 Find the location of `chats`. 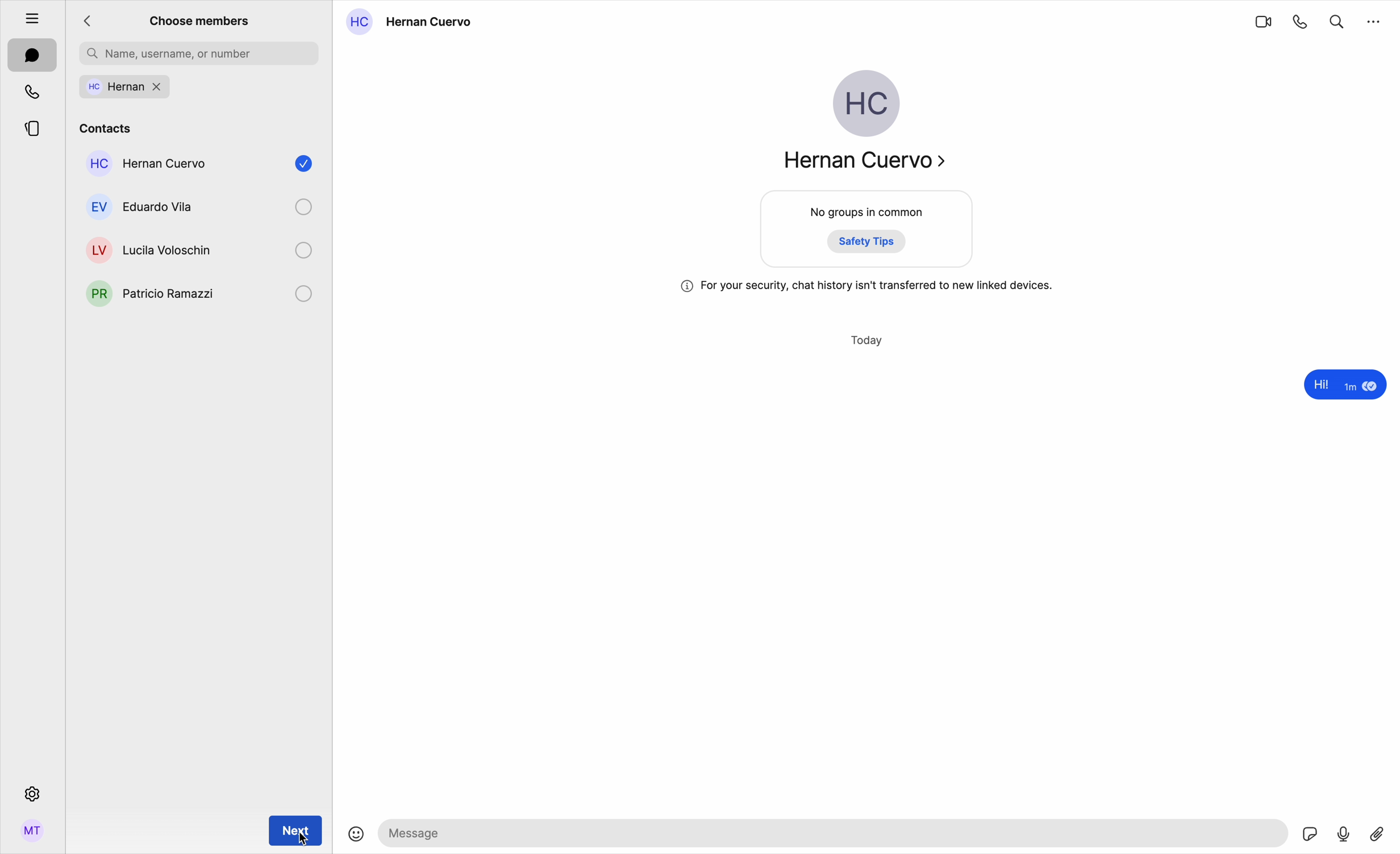

chats is located at coordinates (32, 56).